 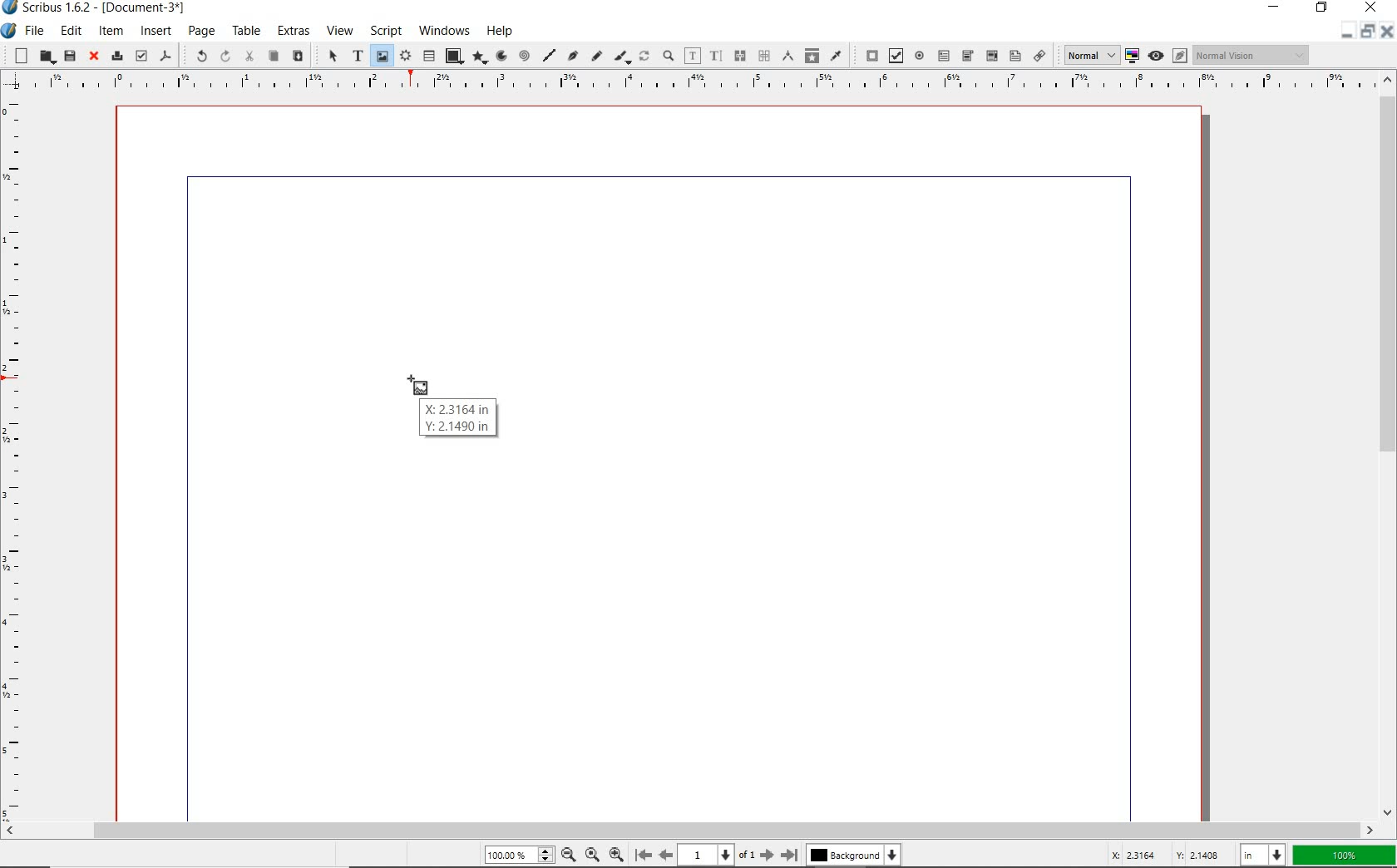 What do you see at coordinates (1252, 55) in the screenshot?
I see `visual appearance of display` at bounding box center [1252, 55].